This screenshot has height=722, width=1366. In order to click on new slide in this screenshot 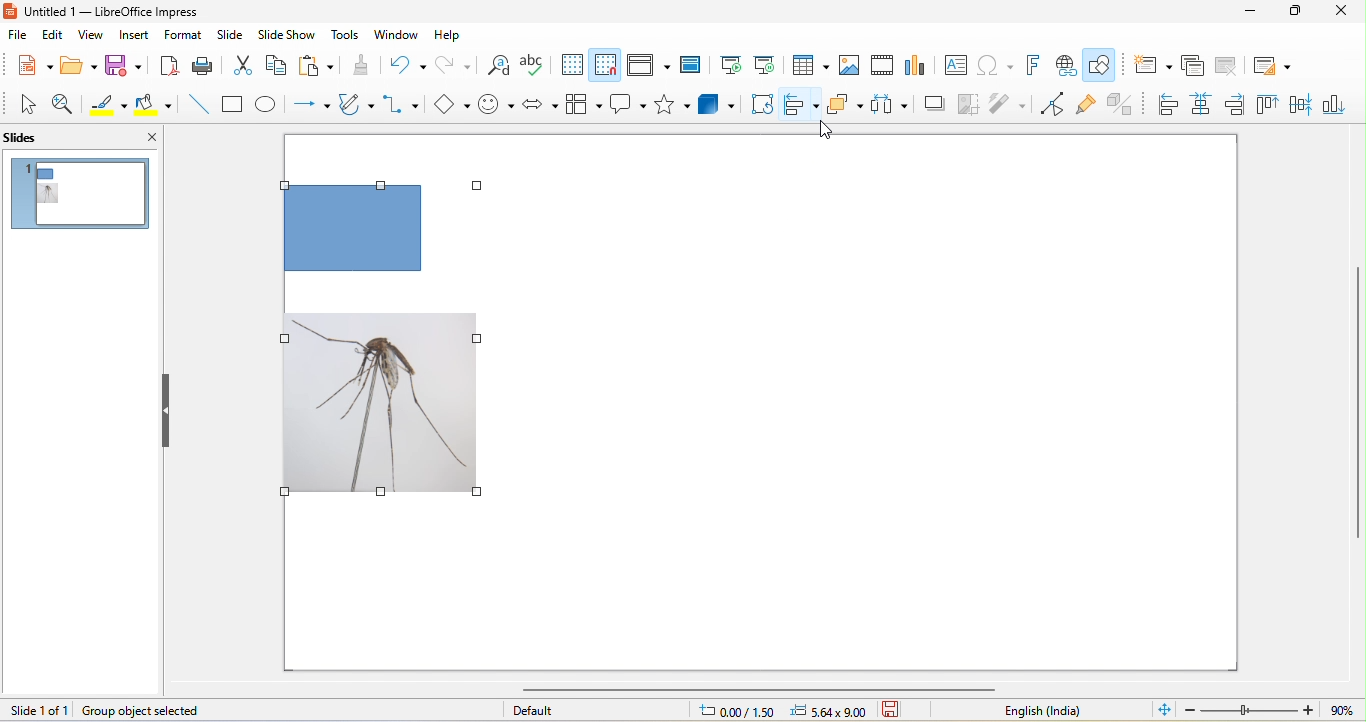, I will do `click(1147, 68)`.